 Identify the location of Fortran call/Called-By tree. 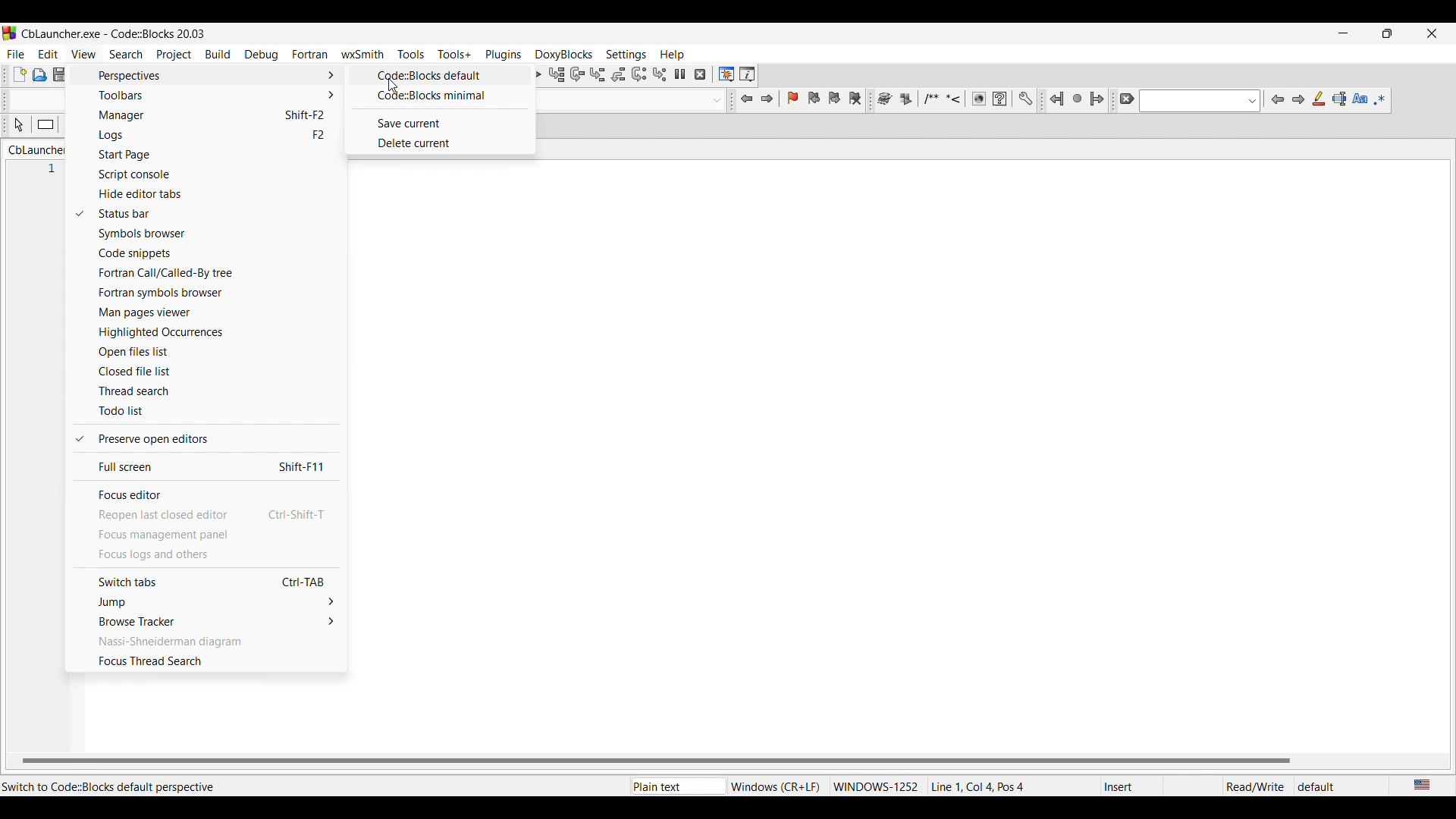
(218, 273).